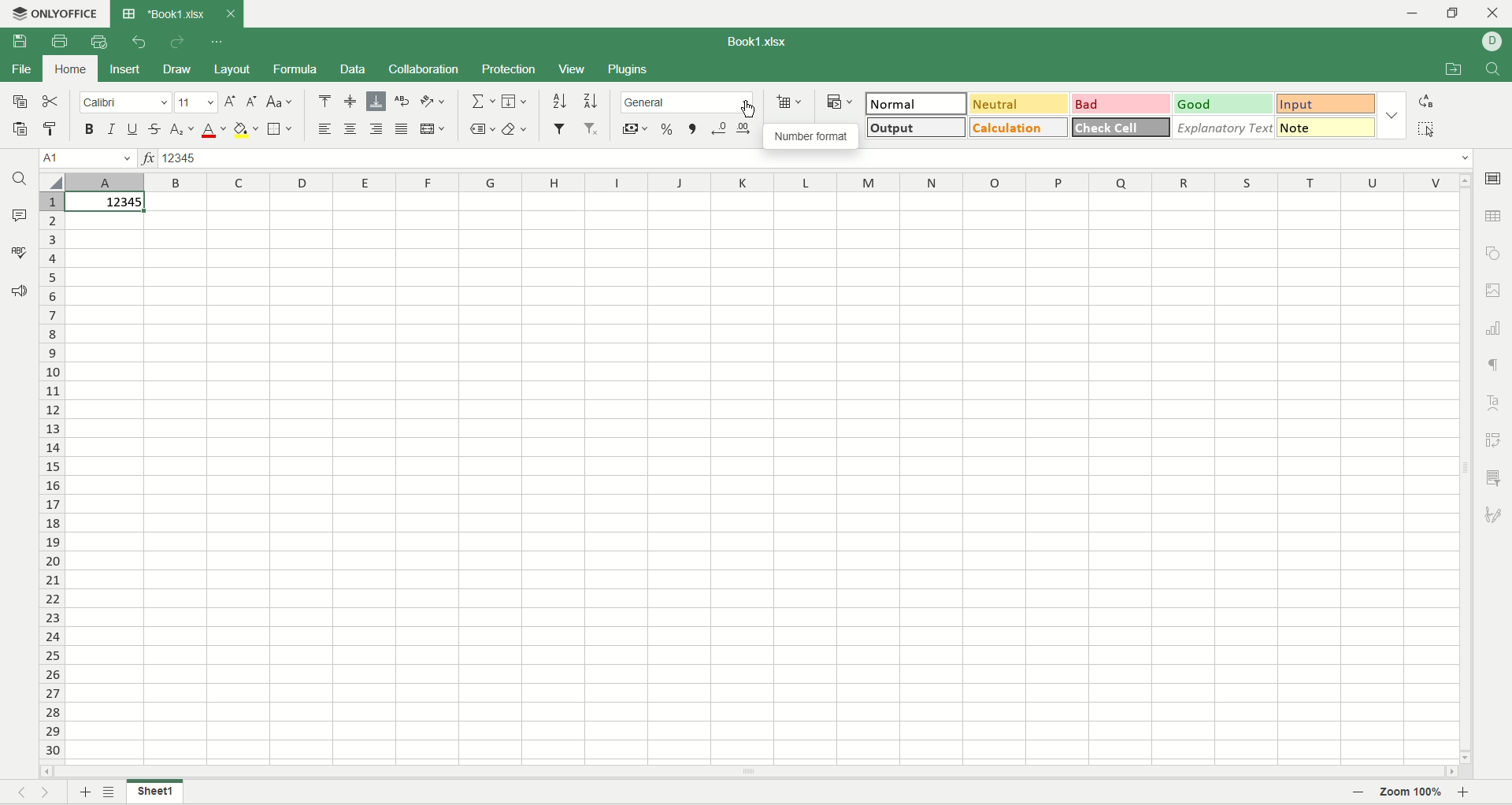 This screenshot has width=1512, height=805. Describe the element at coordinates (281, 102) in the screenshot. I see `change case` at that location.